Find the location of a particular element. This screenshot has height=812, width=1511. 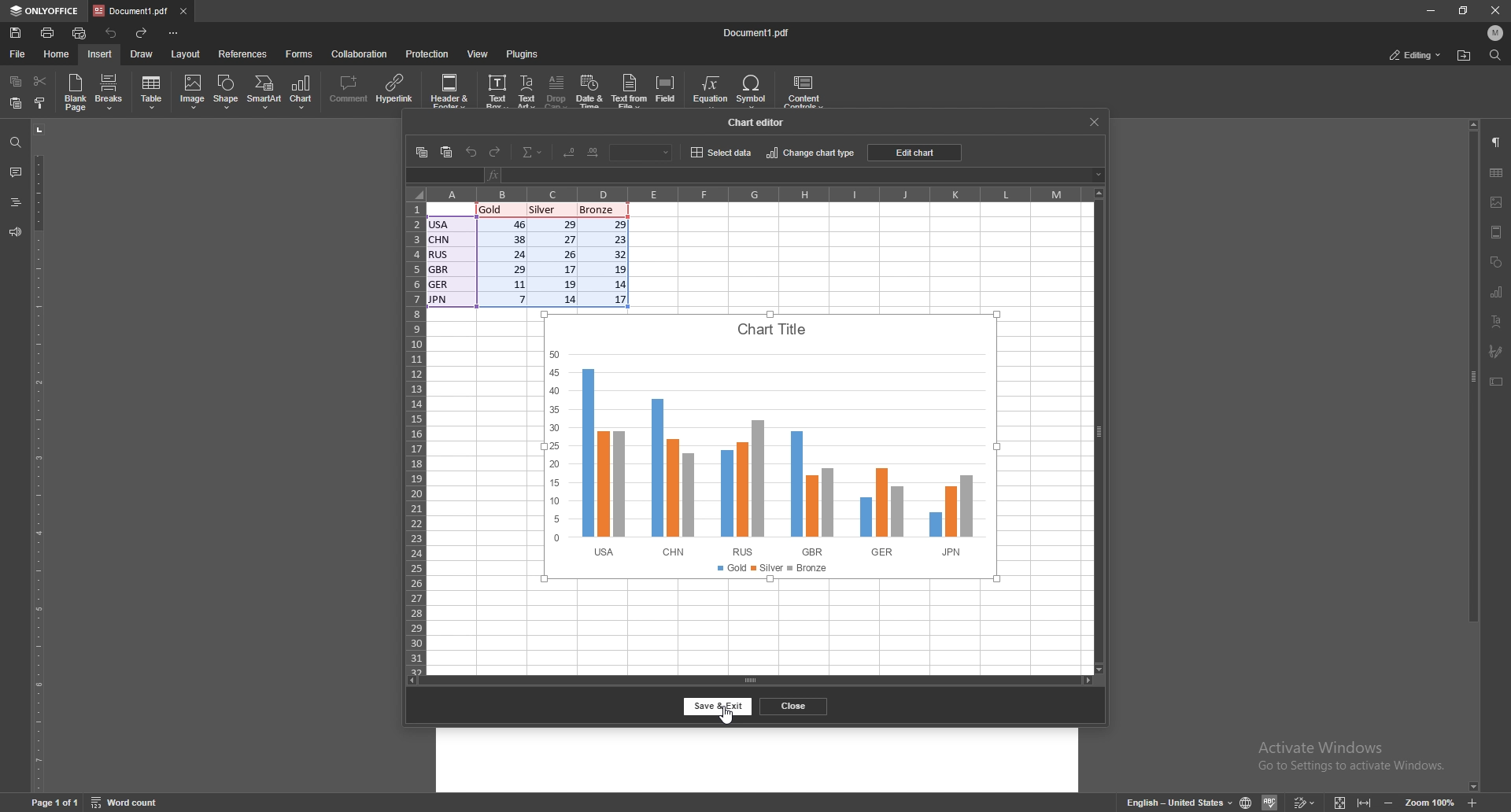

46 is located at coordinates (510, 224).